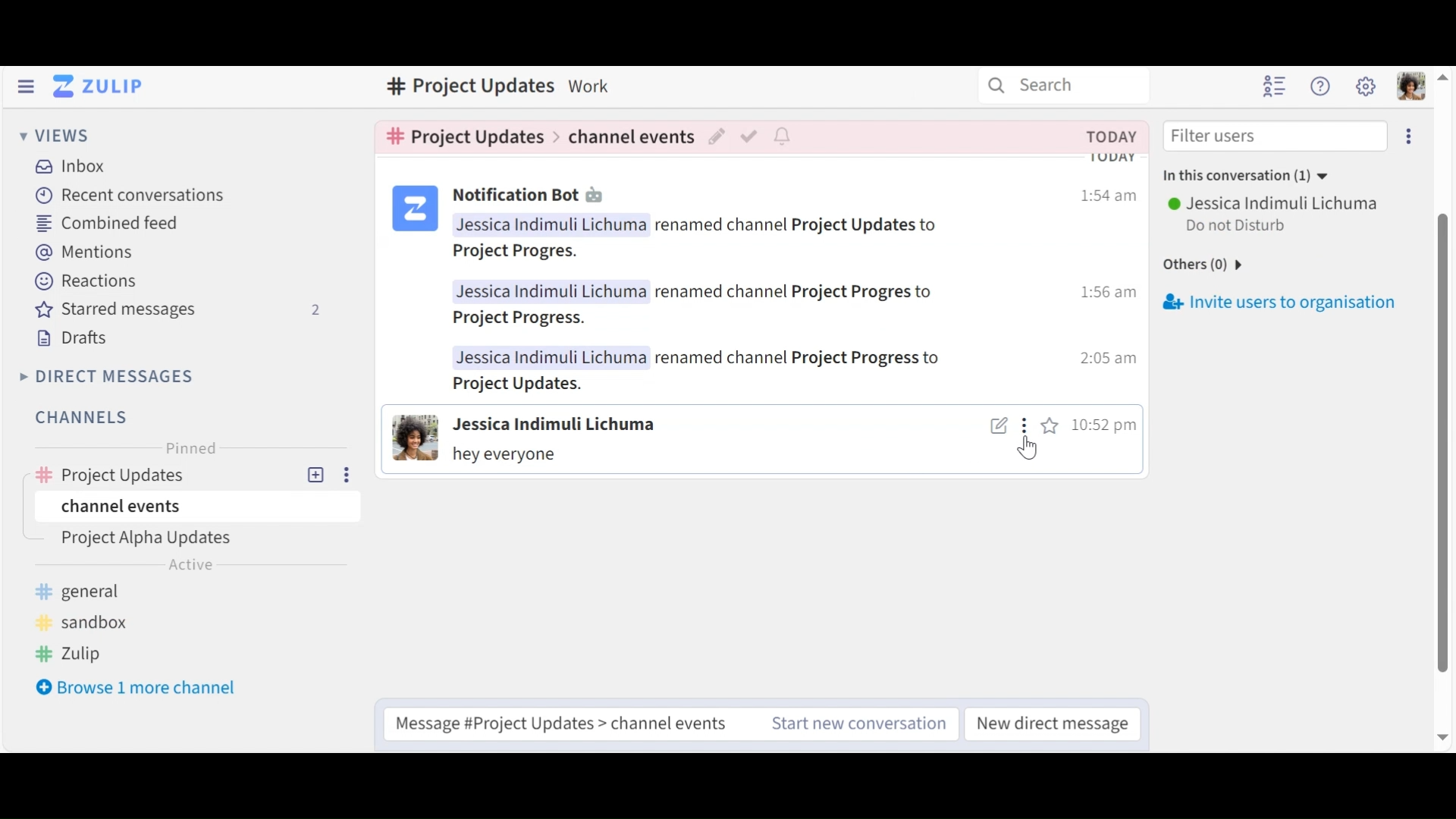  What do you see at coordinates (1109, 136) in the screenshot?
I see `Date modified` at bounding box center [1109, 136].